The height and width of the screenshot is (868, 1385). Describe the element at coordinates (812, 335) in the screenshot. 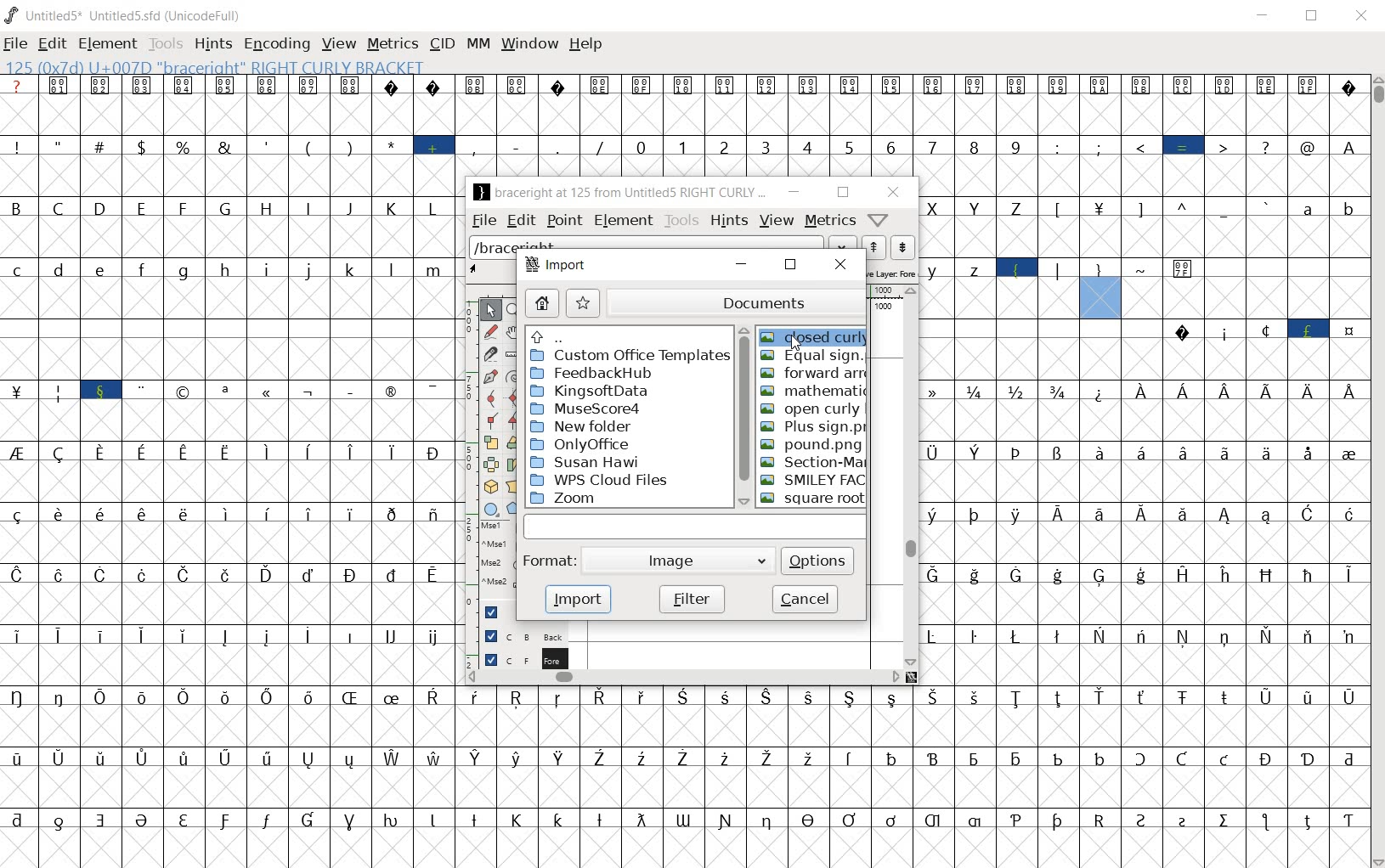

I see `closed curly` at that location.